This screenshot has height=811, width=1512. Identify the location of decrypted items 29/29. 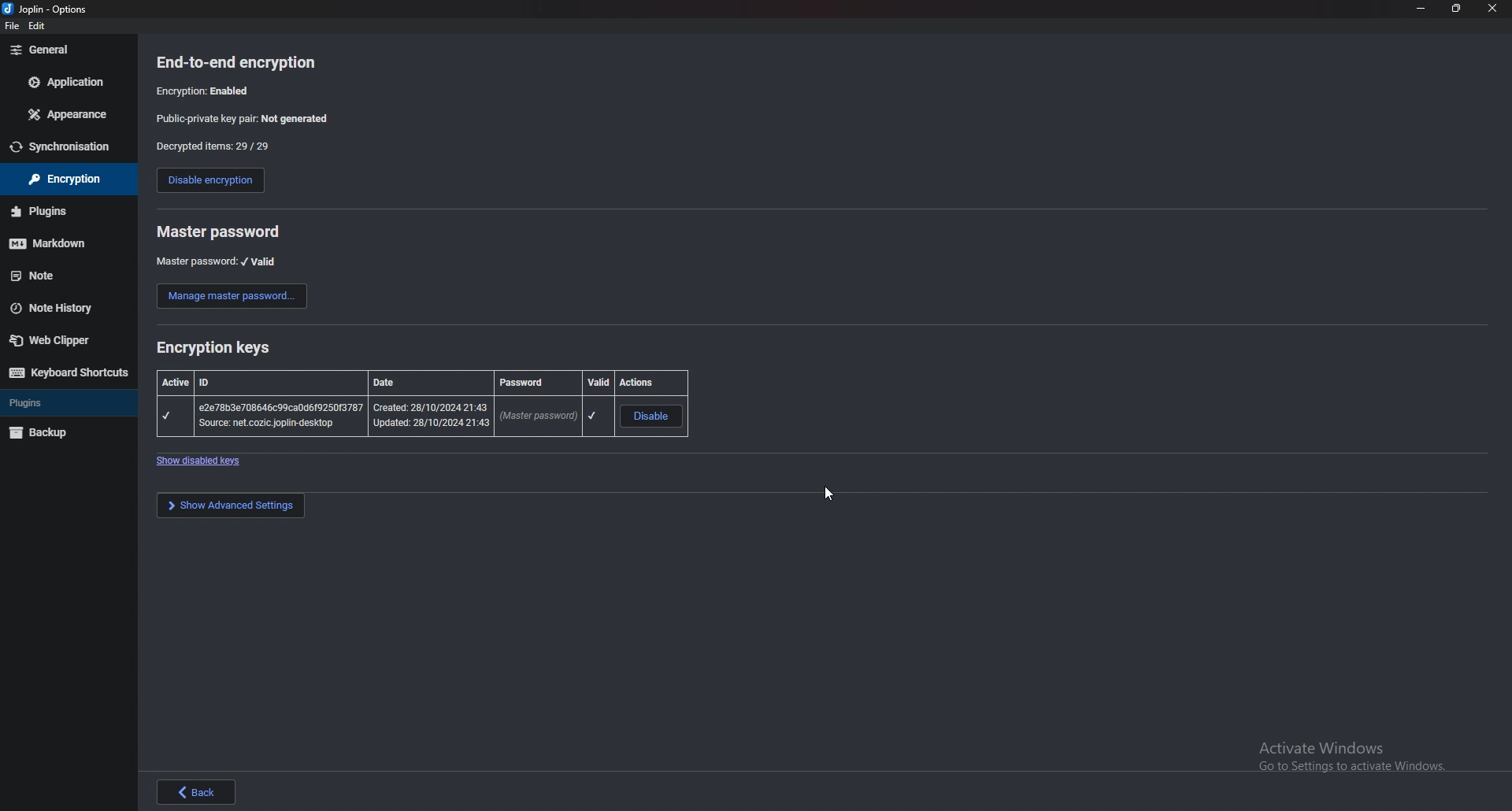
(213, 147).